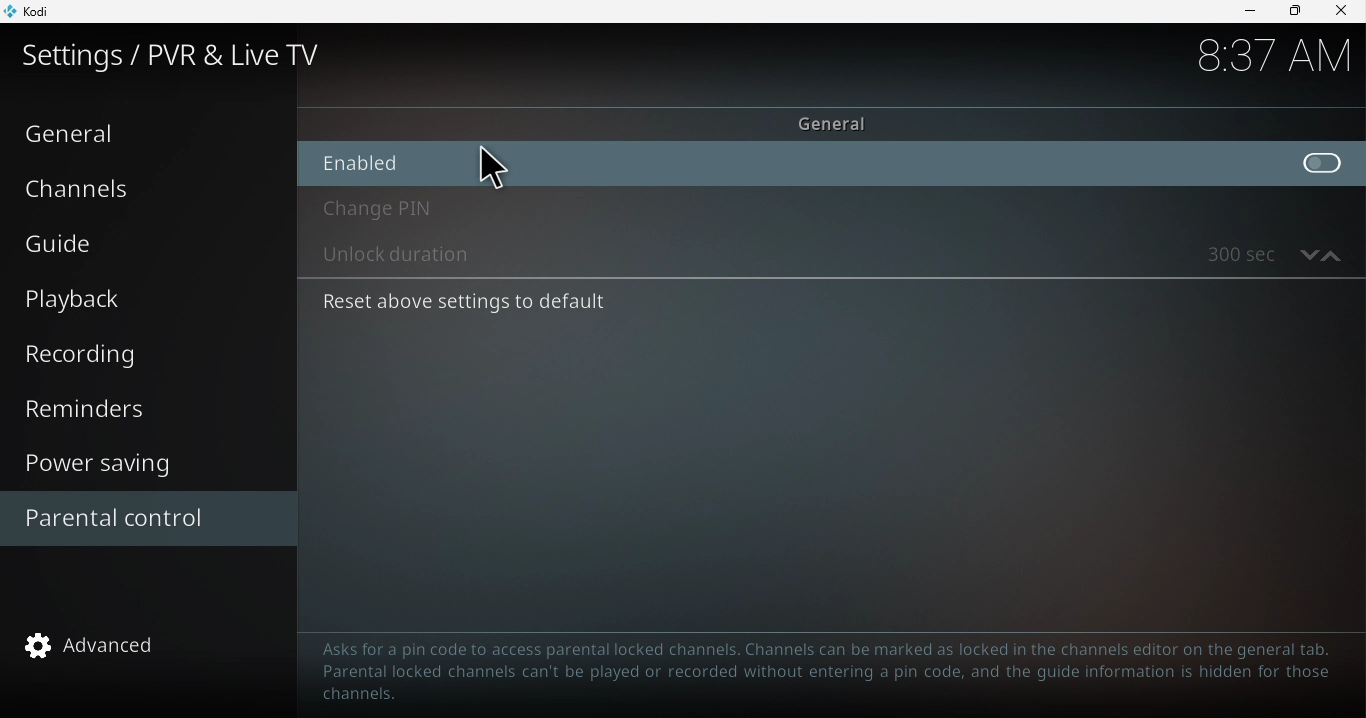 Image resolution: width=1366 pixels, height=718 pixels. I want to click on General, so click(145, 134).